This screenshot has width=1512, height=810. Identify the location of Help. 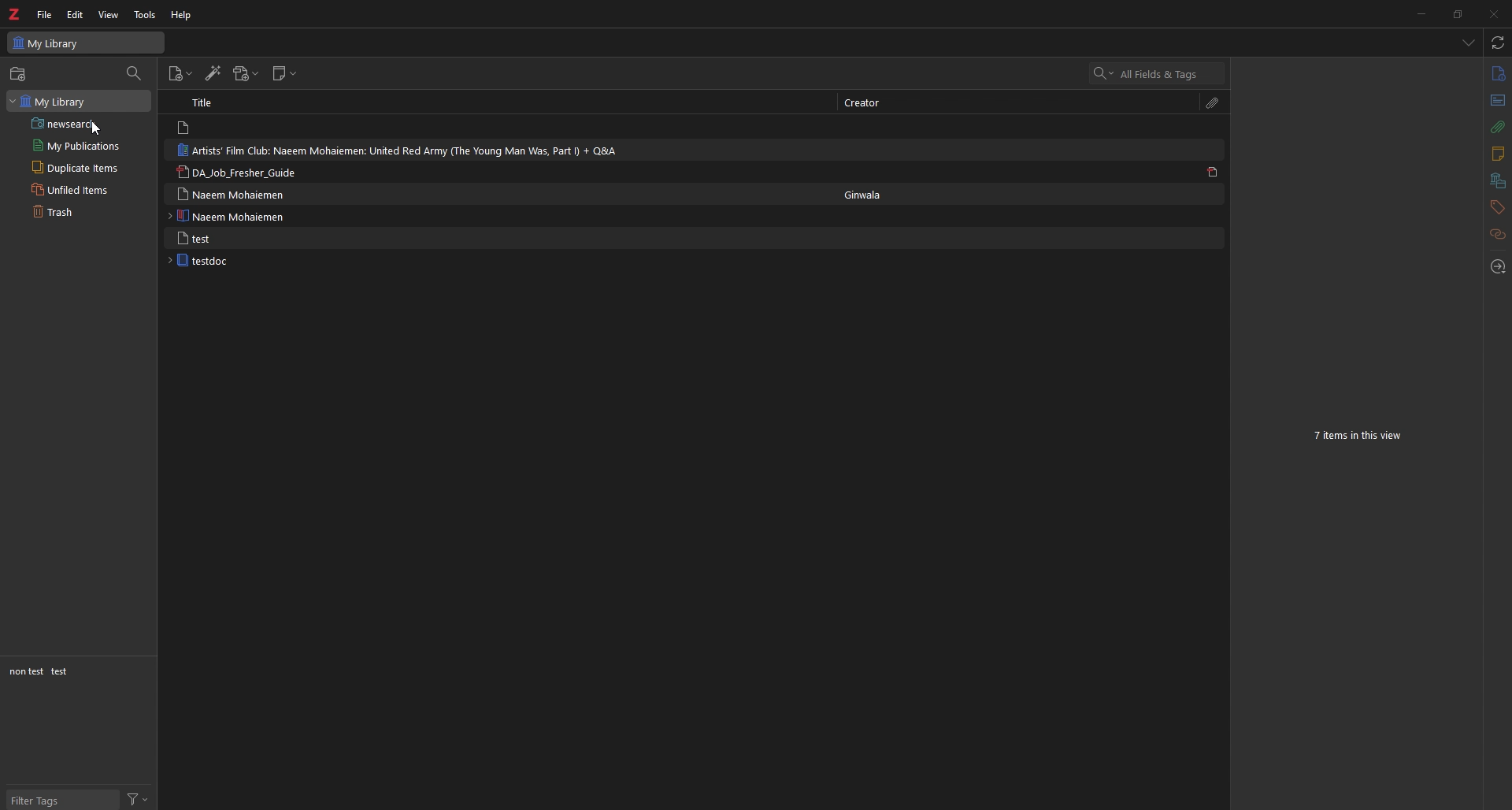
(176, 14).